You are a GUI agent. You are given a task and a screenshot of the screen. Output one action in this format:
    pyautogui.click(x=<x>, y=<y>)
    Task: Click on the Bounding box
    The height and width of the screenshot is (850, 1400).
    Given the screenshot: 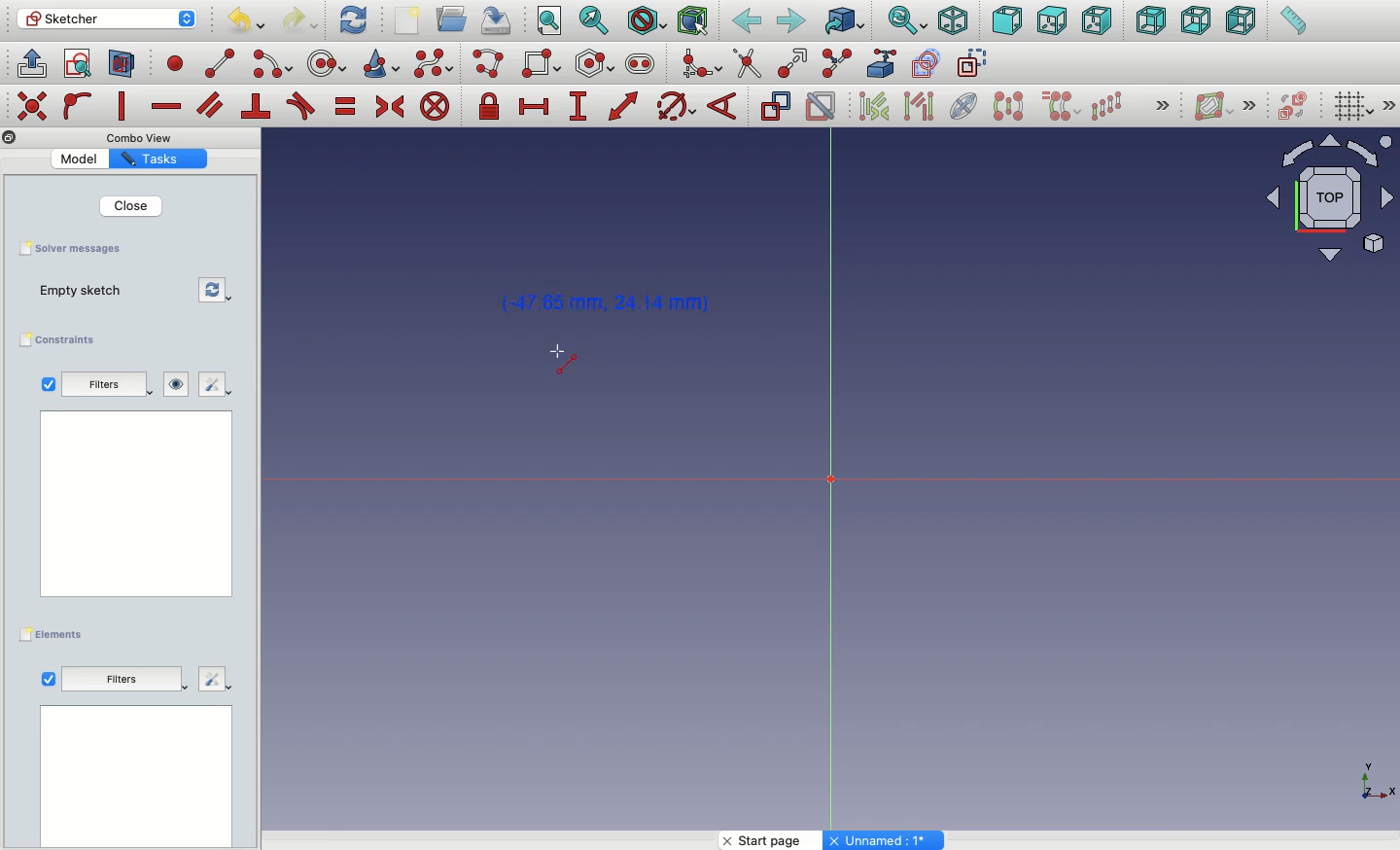 What is the action you would take?
    pyautogui.click(x=695, y=22)
    